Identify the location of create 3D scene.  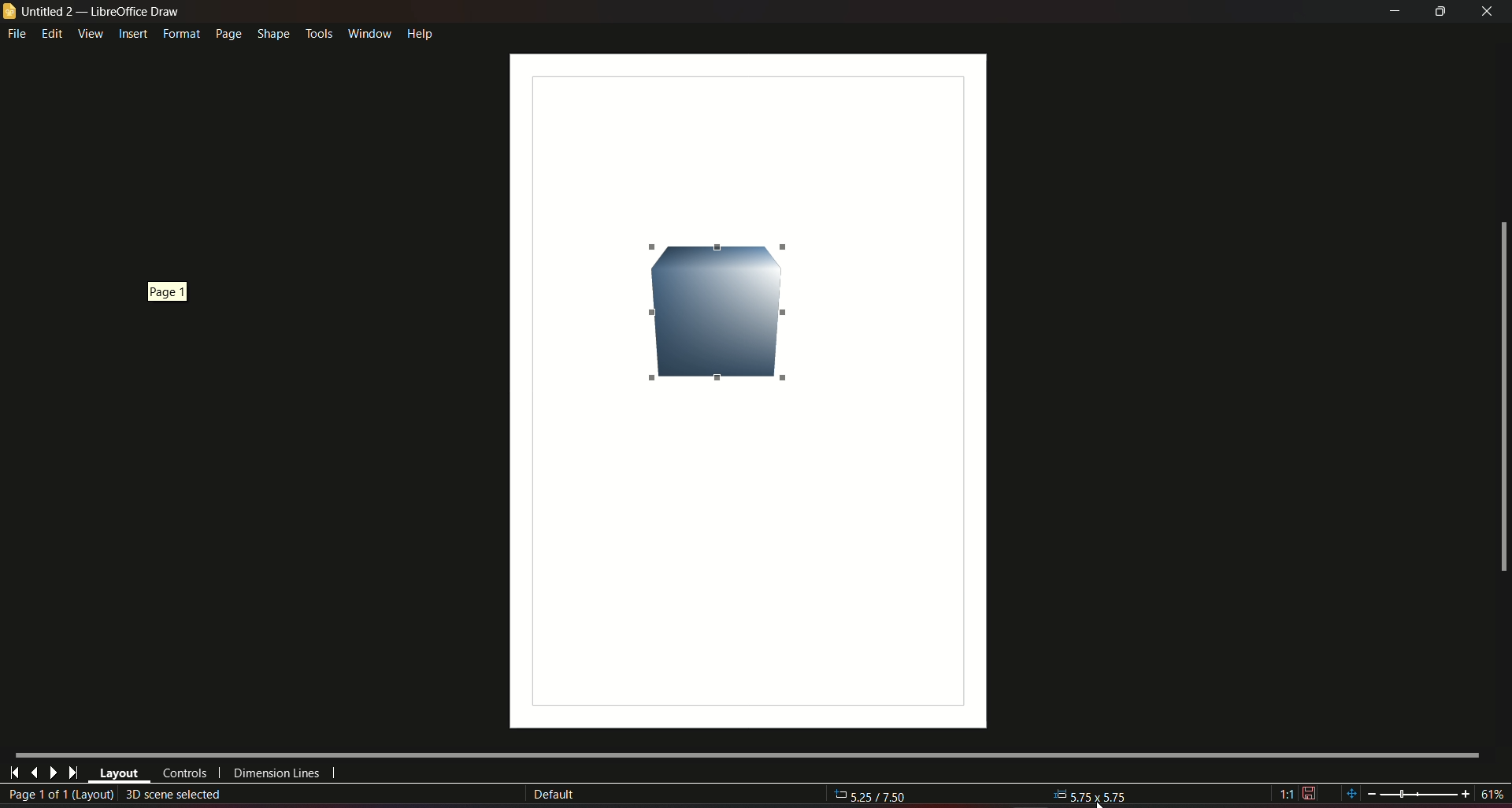
(175, 794).